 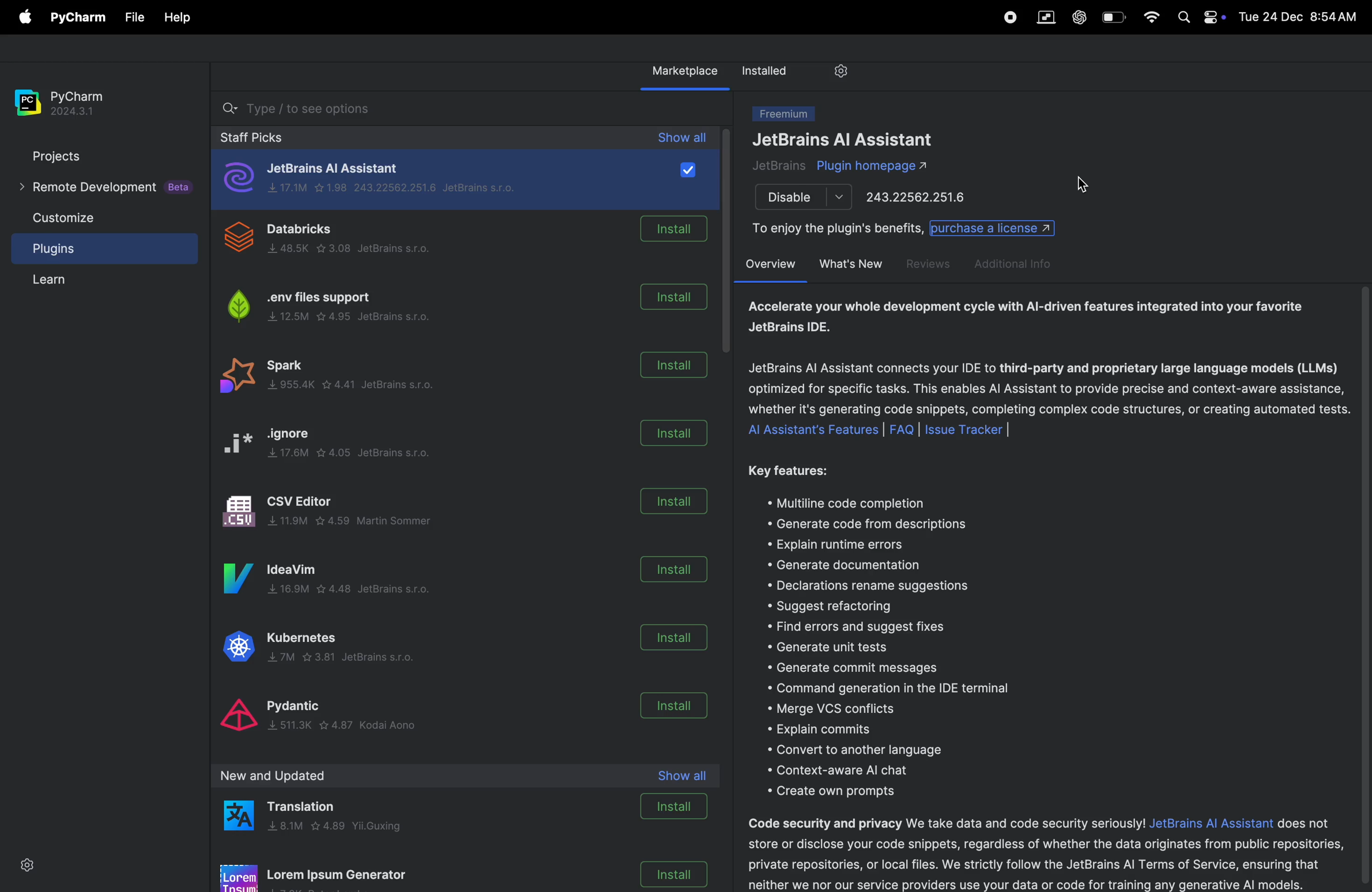 I want to click on Csv editor, so click(x=332, y=521).